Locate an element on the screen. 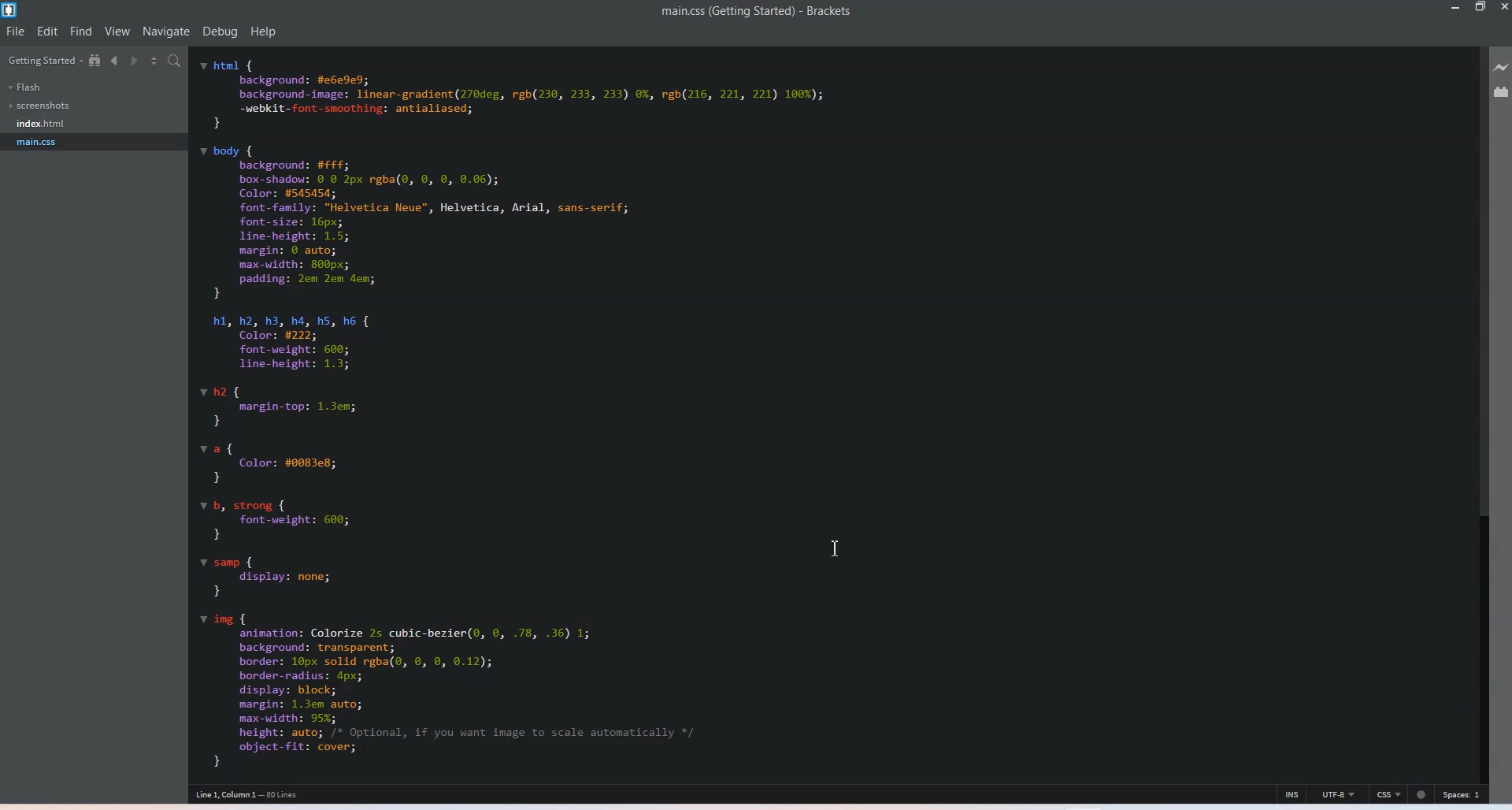  Maximize is located at coordinates (1481, 8).